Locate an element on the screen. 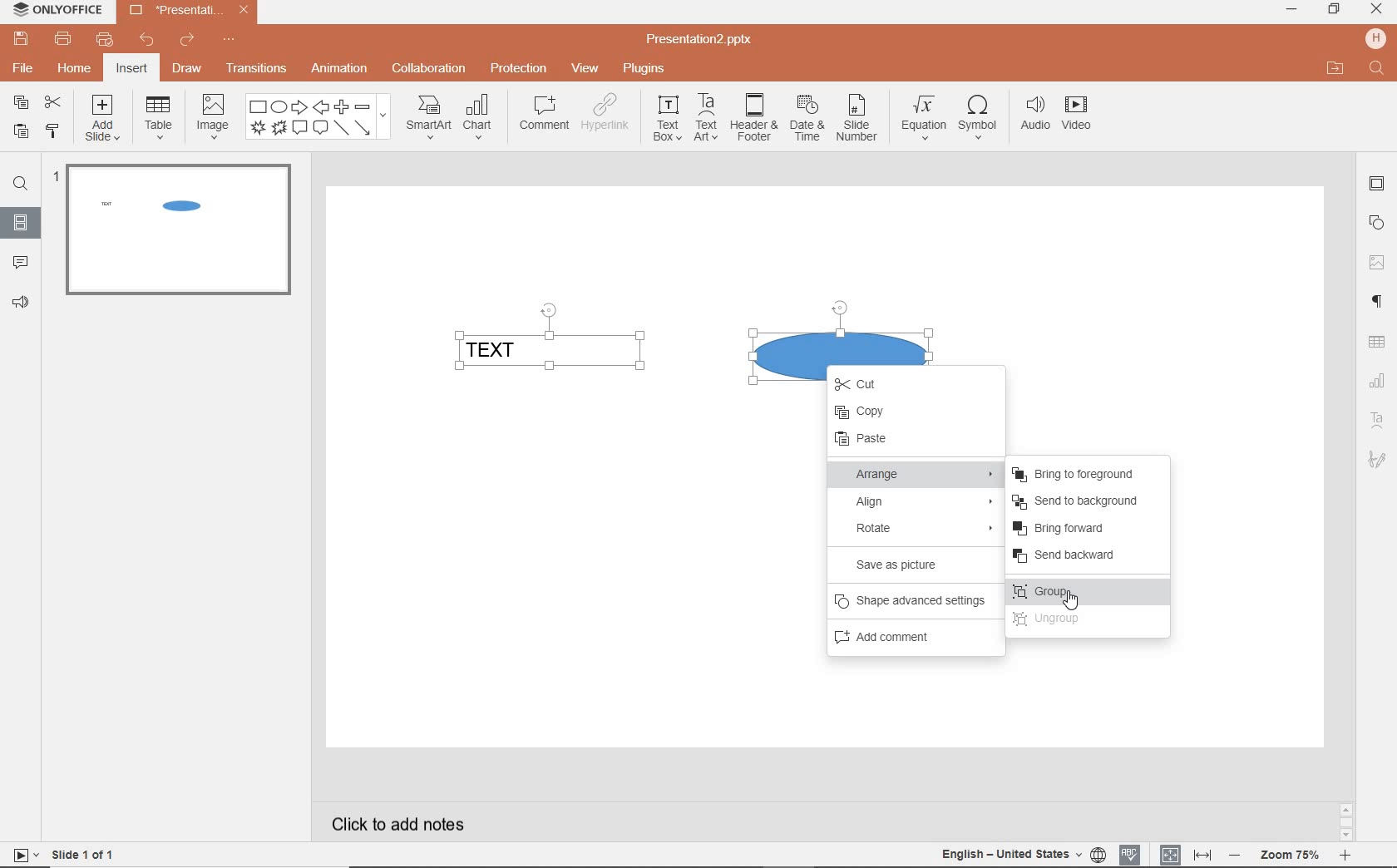  ROTATE is located at coordinates (918, 529).